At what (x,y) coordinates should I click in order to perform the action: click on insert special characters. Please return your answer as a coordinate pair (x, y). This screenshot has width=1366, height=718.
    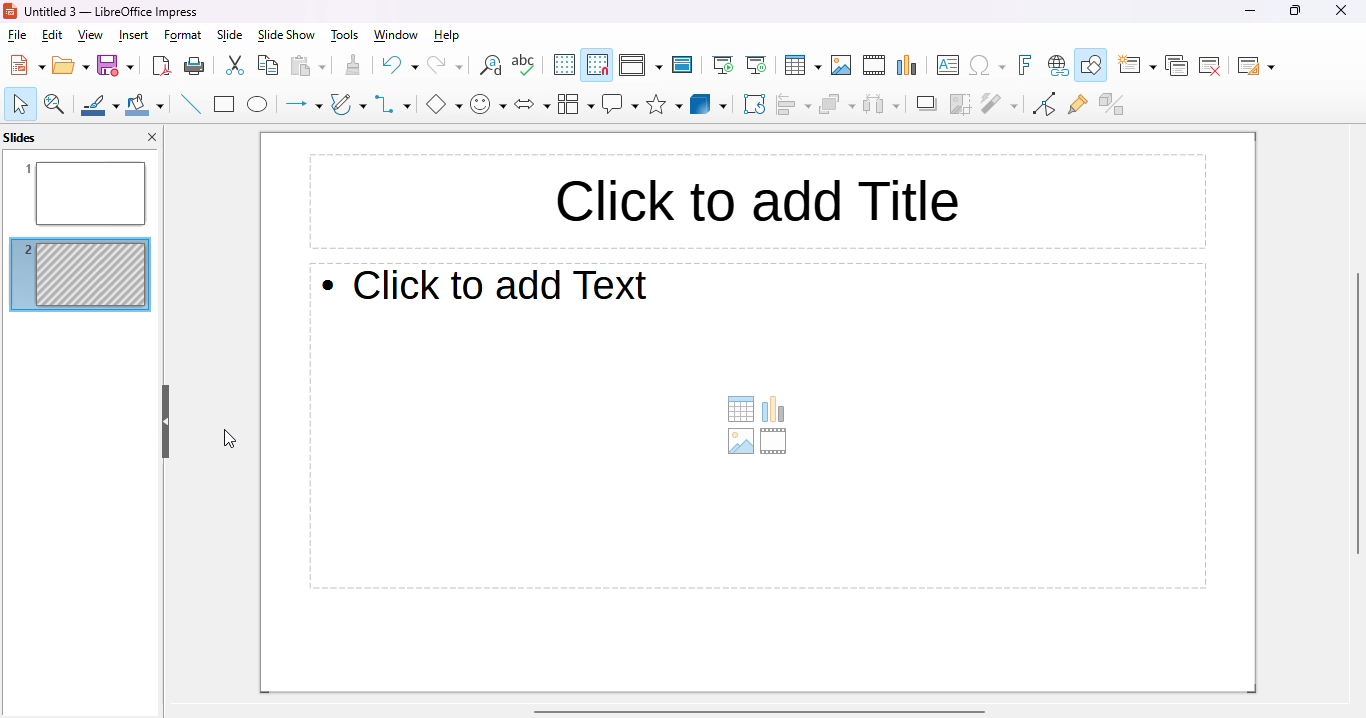
    Looking at the image, I should click on (987, 64).